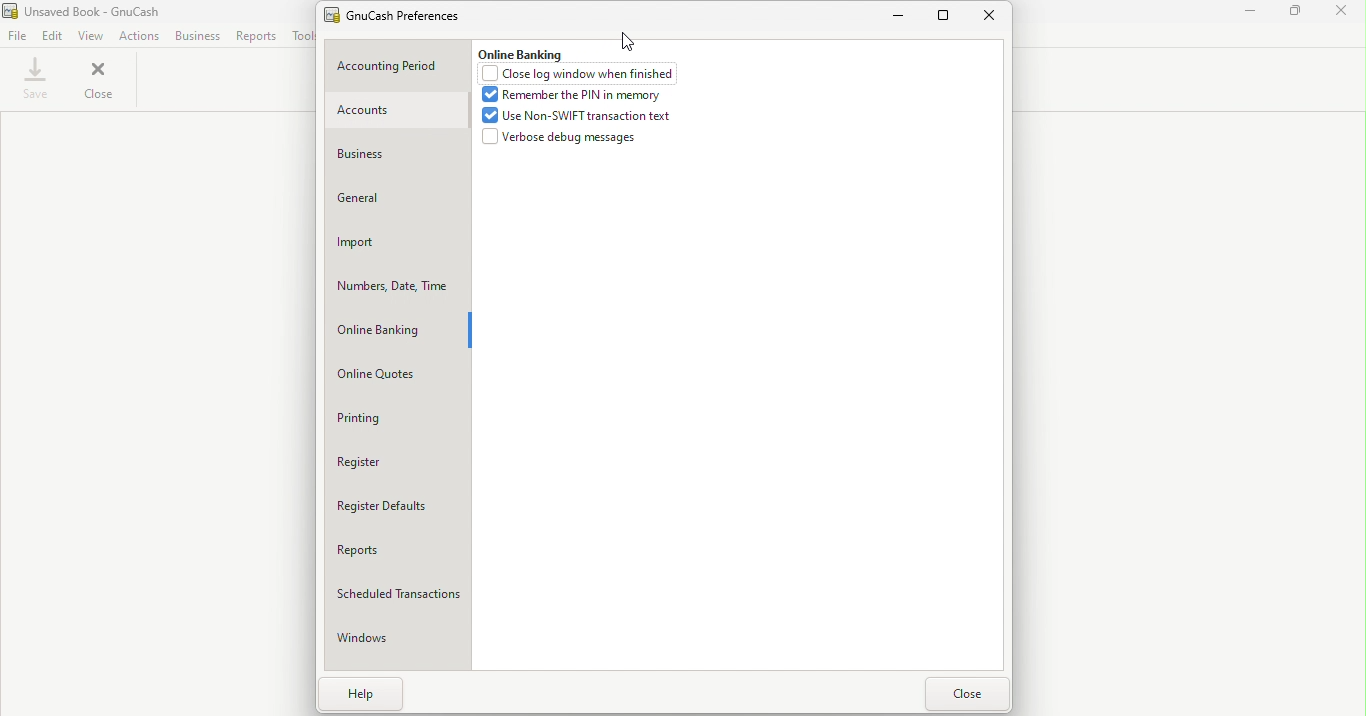 The width and height of the screenshot is (1366, 716). I want to click on Close, so click(1342, 14).